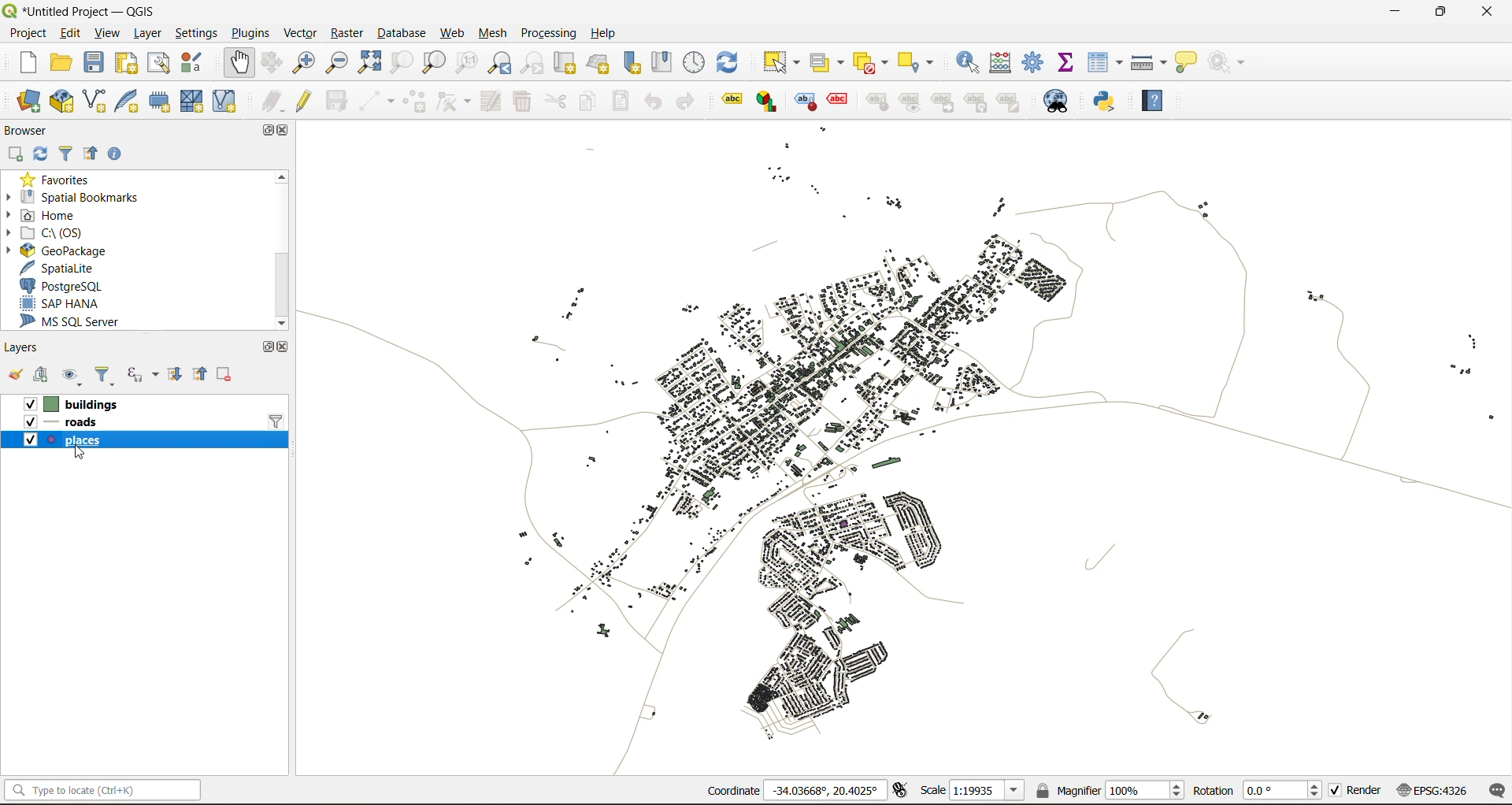 The width and height of the screenshot is (1512, 805). I want to click on layer labeling, so click(730, 100).